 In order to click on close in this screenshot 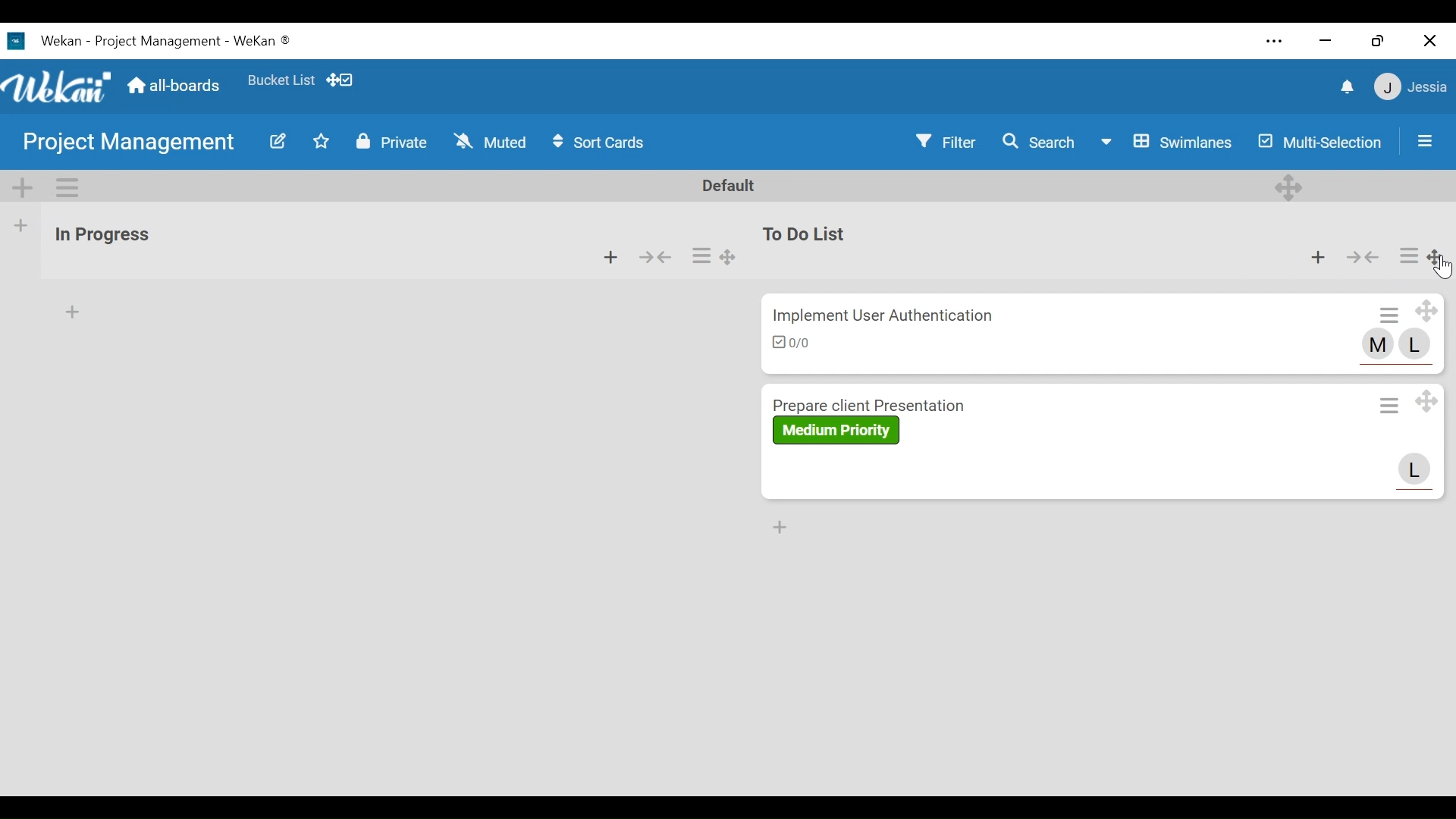, I will do `click(1427, 40)`.